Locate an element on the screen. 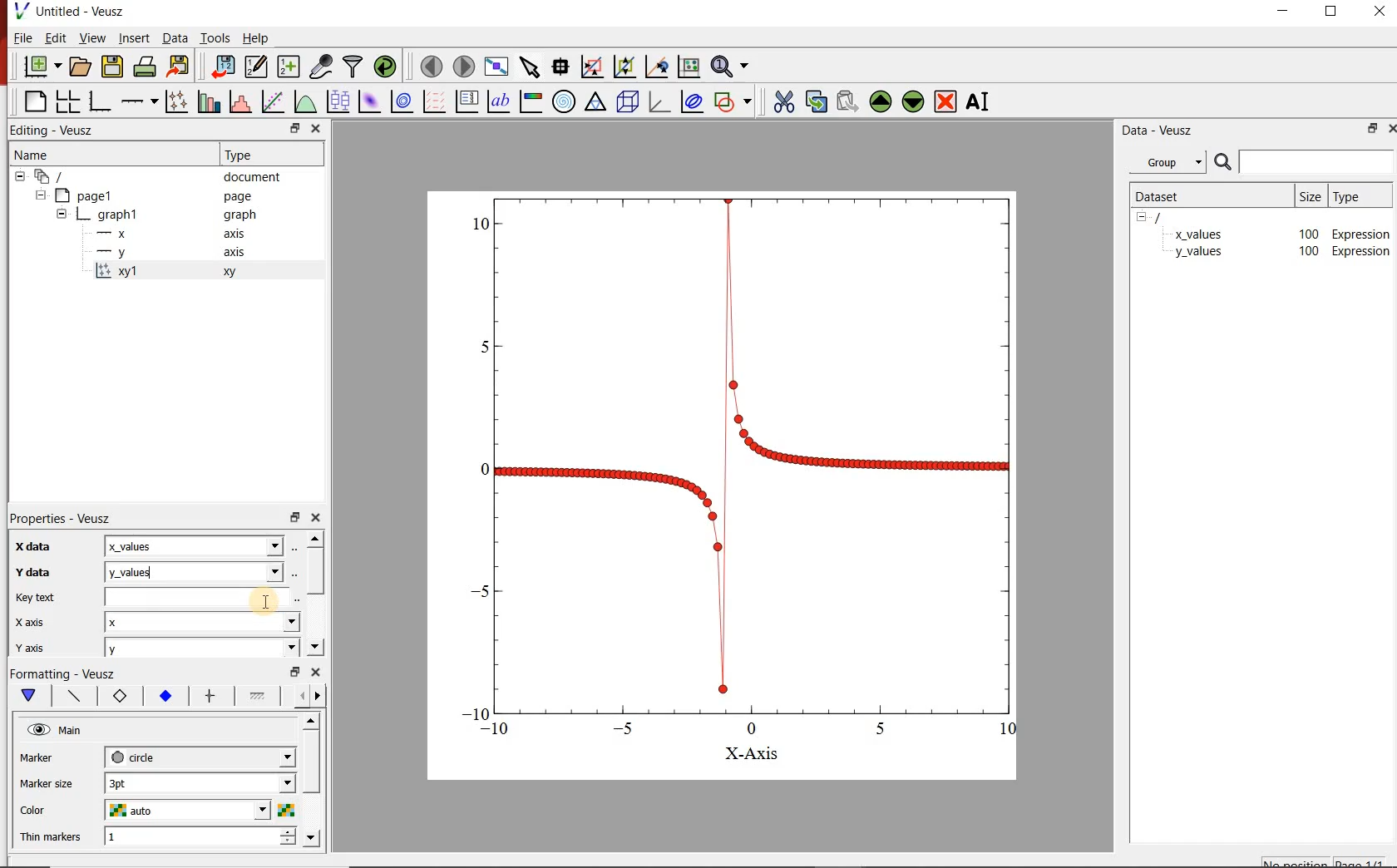 This screenshot has width=1397, height=868. 100 is located at coordinates (1308, 233).